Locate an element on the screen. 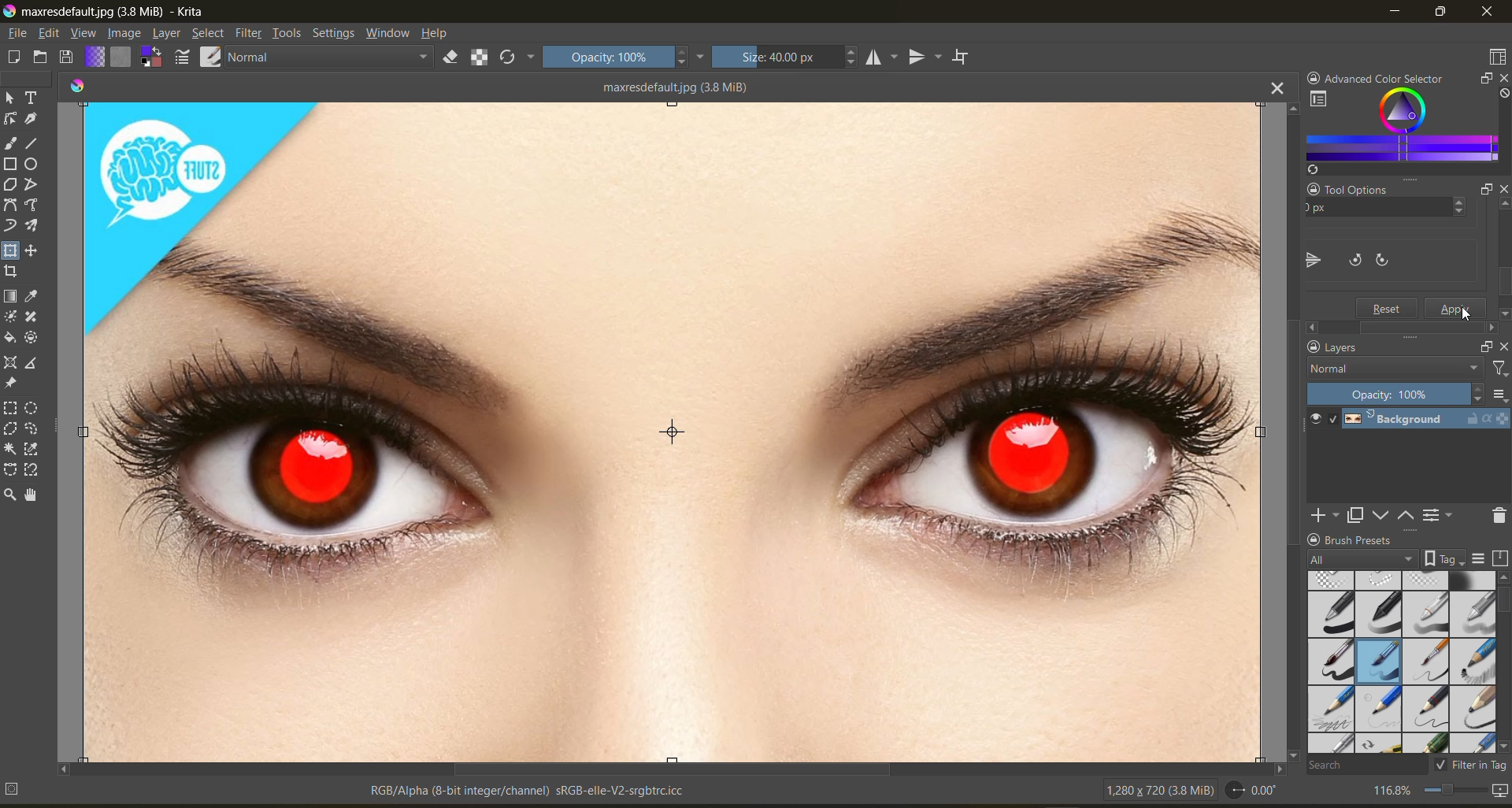 The image size is (1512, 808). tool is located at coordinates (32, 496).